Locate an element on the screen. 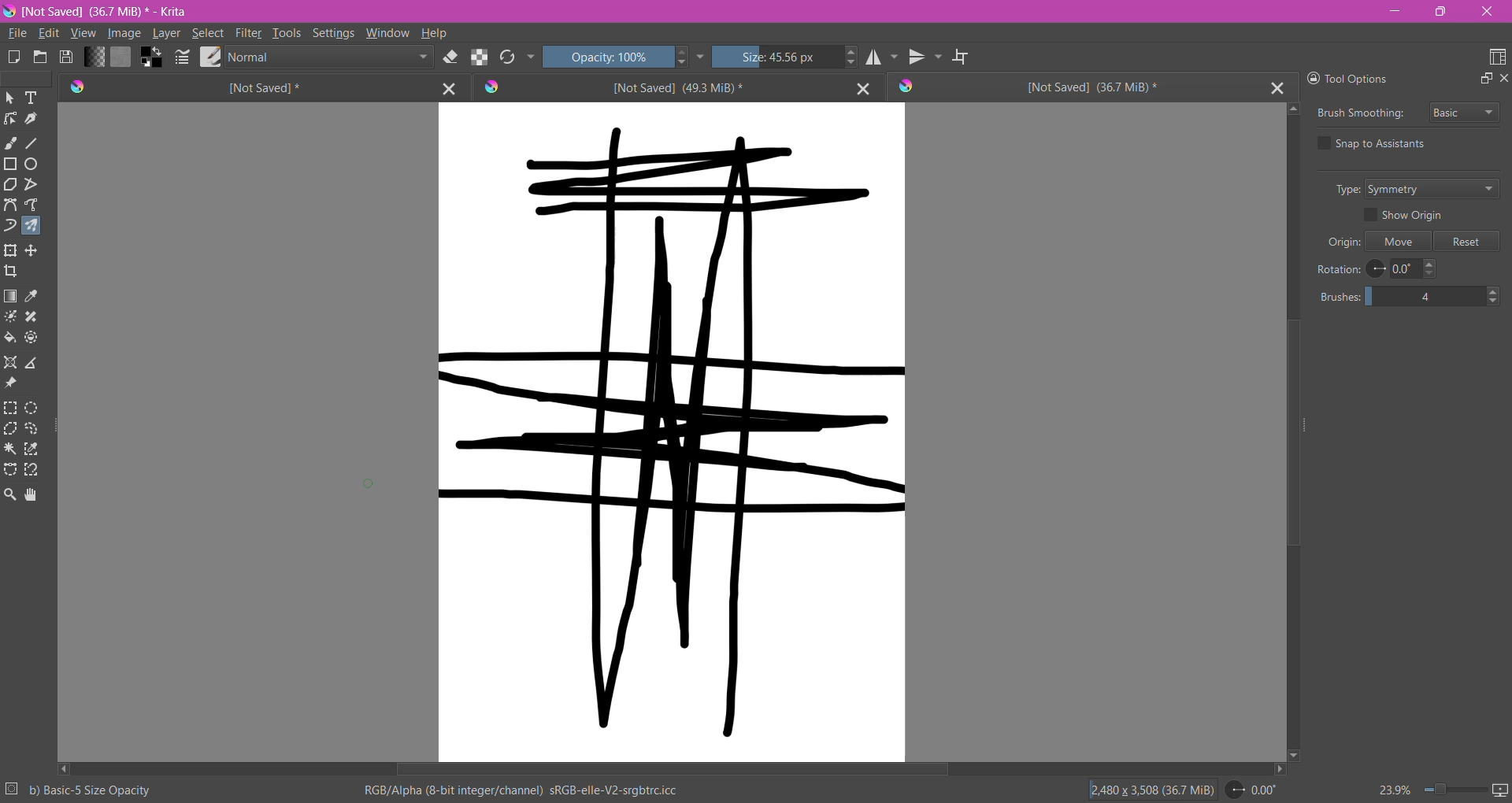 The image size is (1512, 803). Polyline Tool is located at coordinates (31, 184).